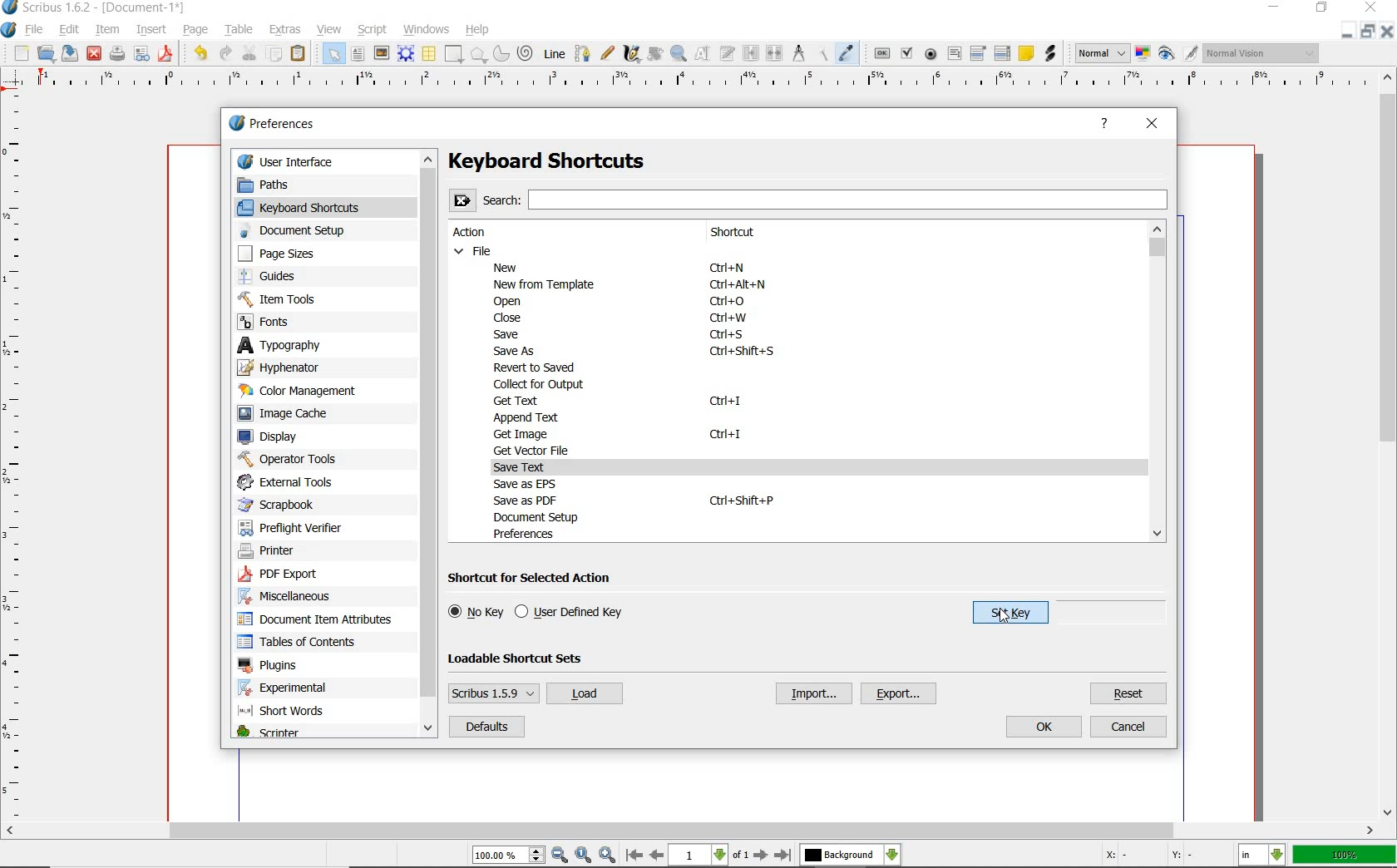 The height and width of the screenshot is (868, 1397). What do you see at coordinates (525, 417) in the screenshot?
I see `append text` at bounding box center [525, 417].